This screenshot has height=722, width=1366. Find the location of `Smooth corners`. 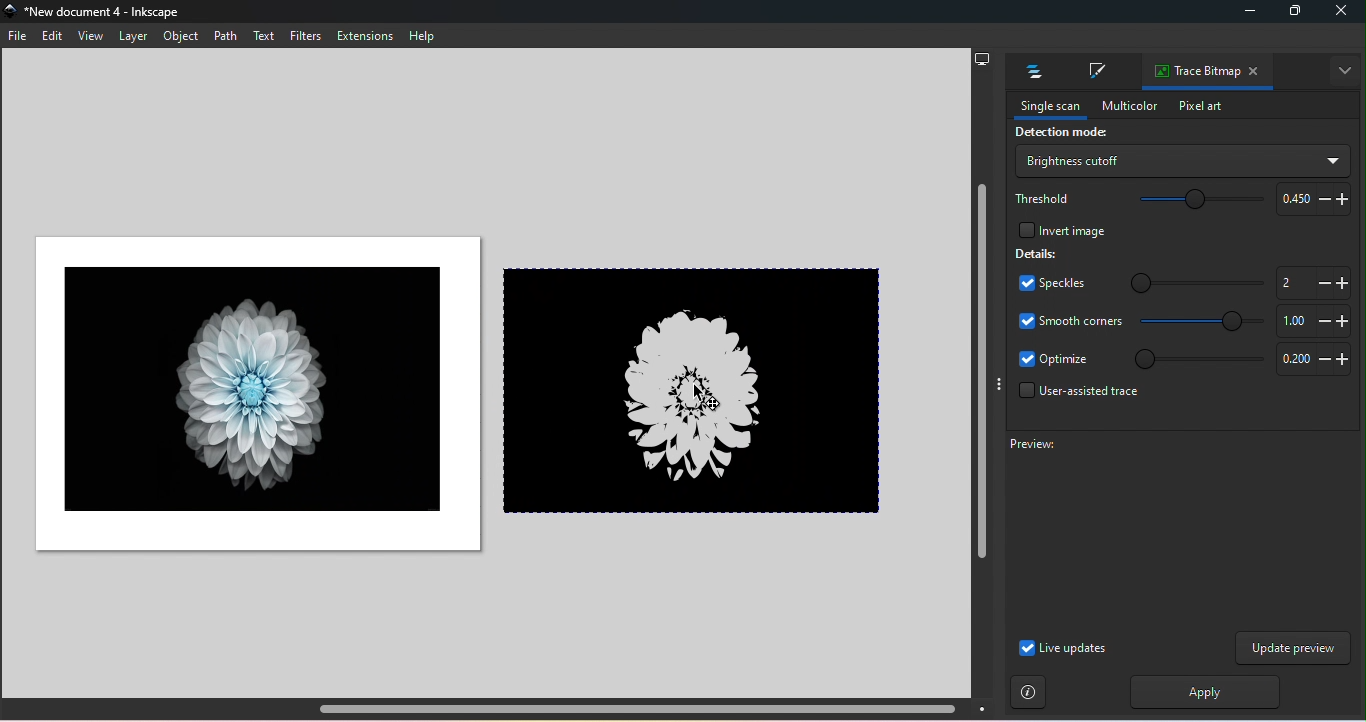

Smooth corners is located at coordinates (1070, 320).